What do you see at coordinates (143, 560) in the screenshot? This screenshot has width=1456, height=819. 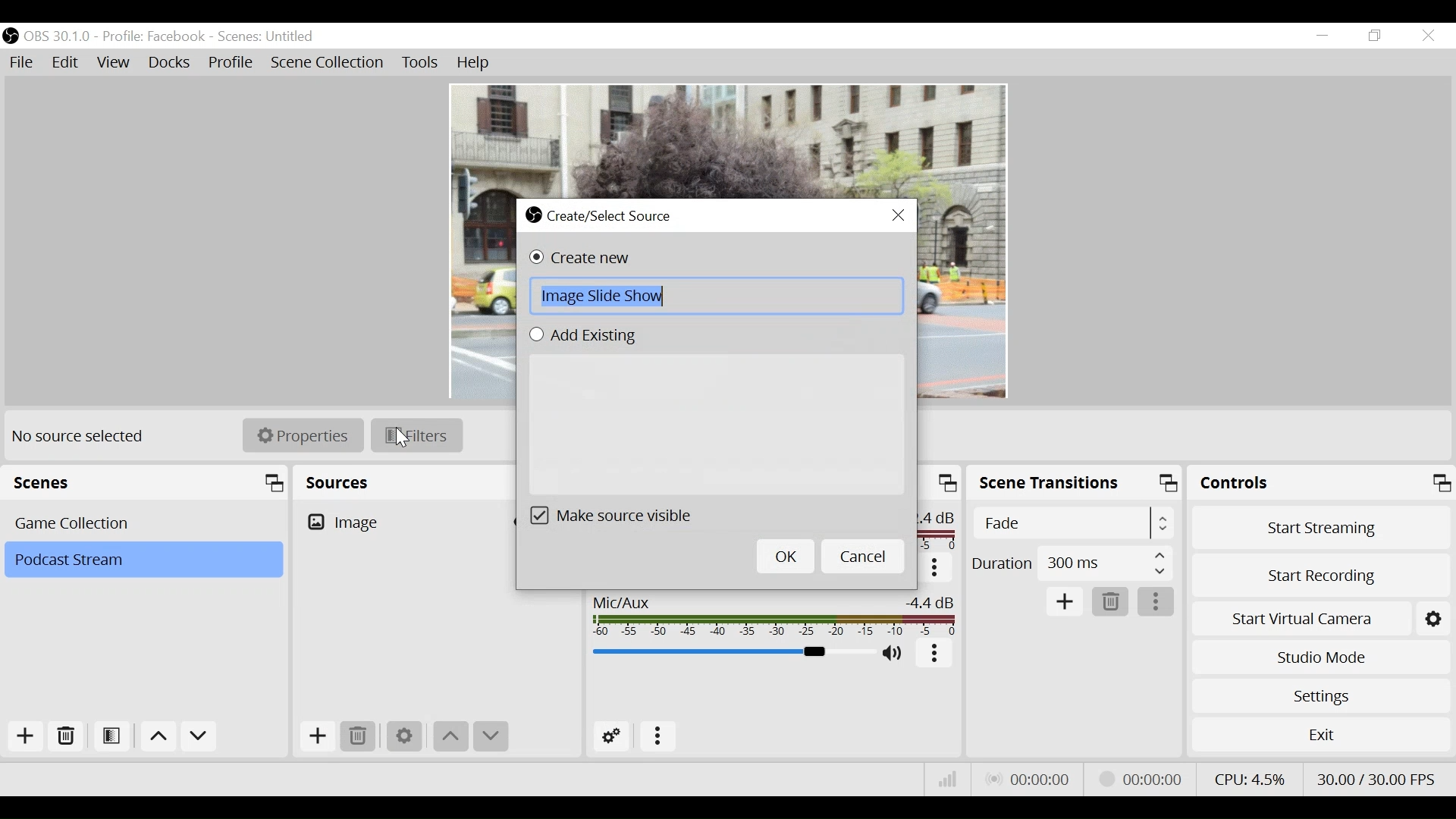 I see `Scene ` at bounding box center [143, 560].